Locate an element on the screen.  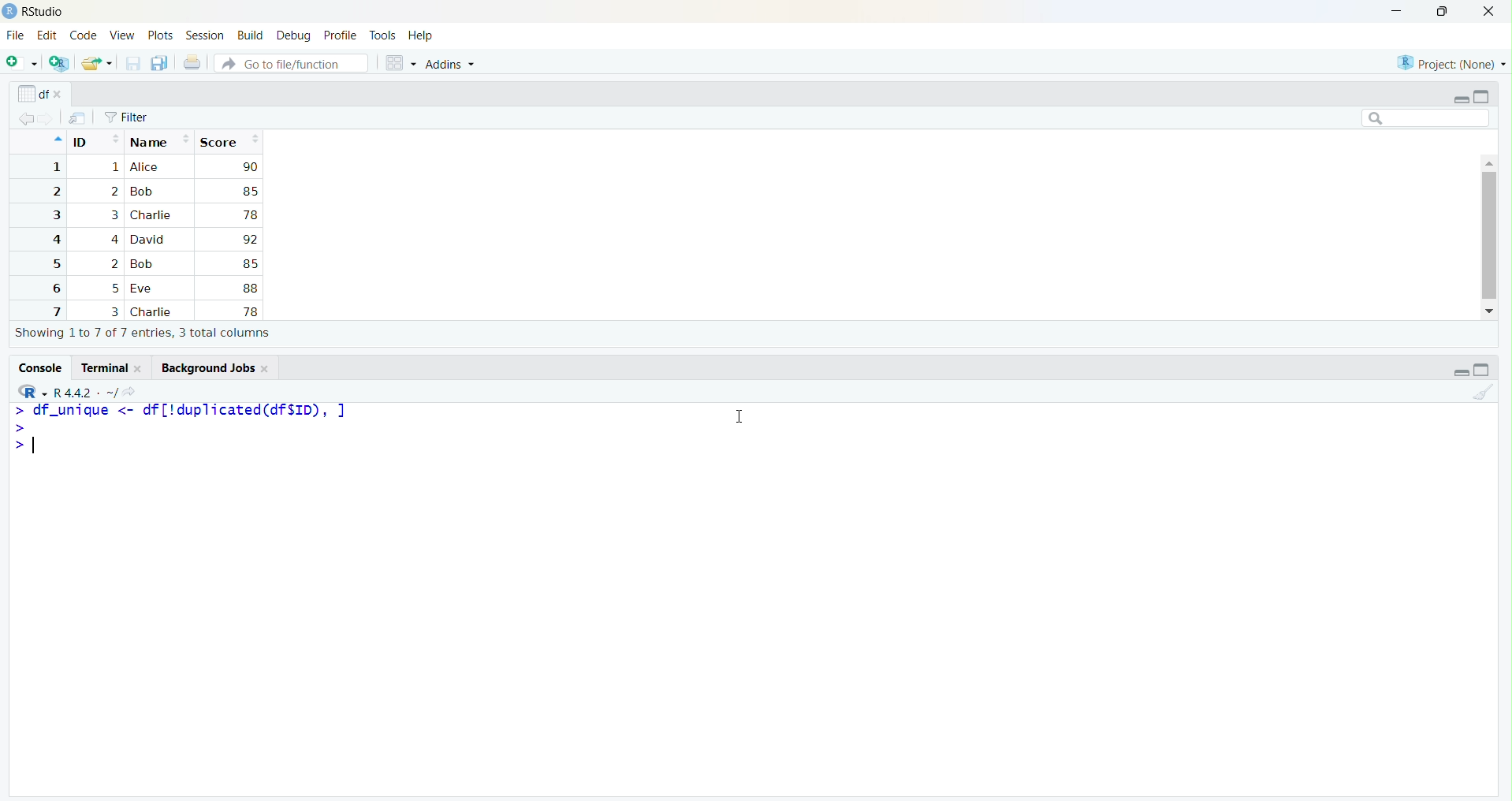
view options is located at coordinates (400, 63).